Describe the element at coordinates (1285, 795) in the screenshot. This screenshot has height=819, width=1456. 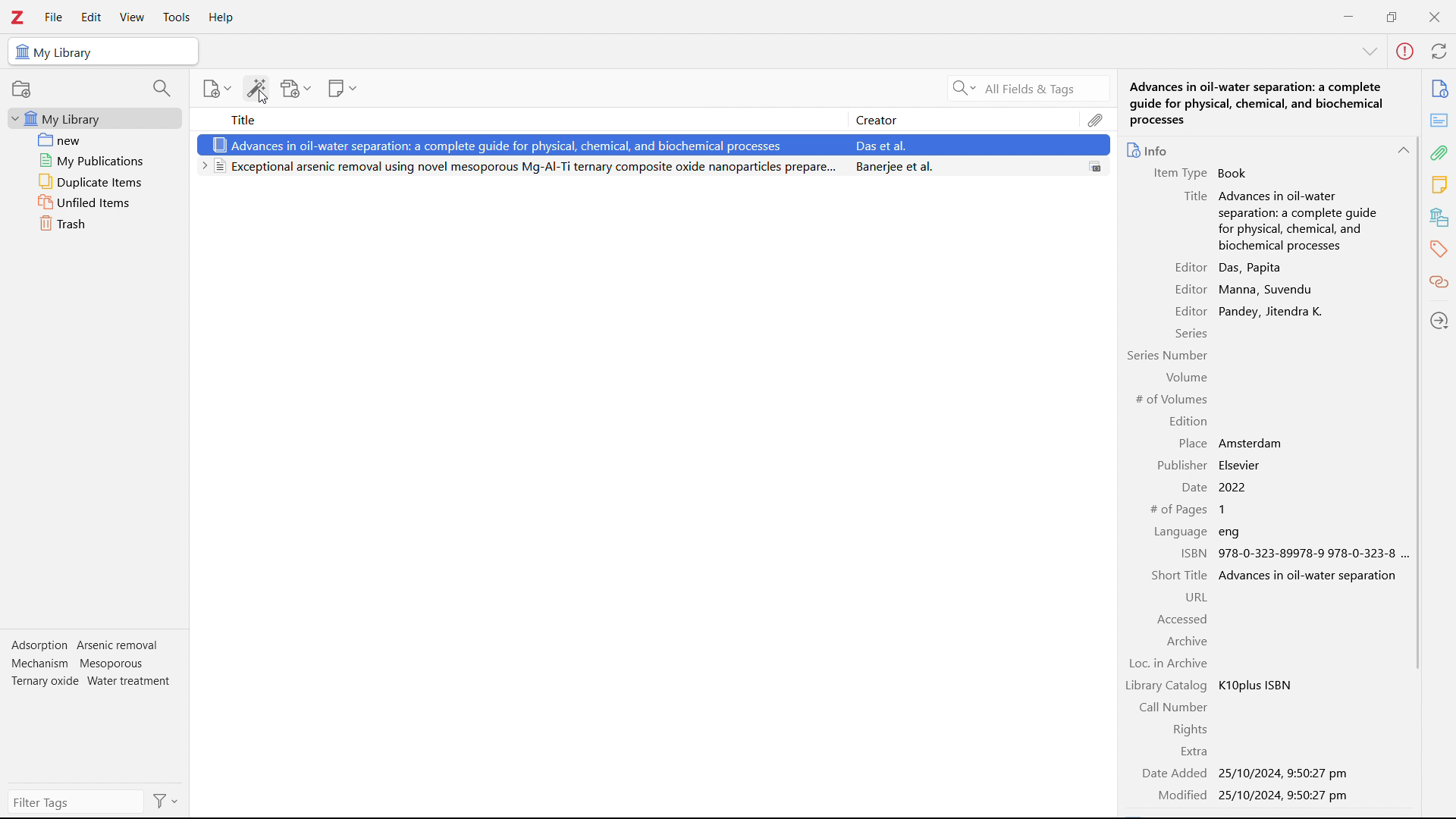
I see `25/10/2024, 9:50:27 PM` at that location.